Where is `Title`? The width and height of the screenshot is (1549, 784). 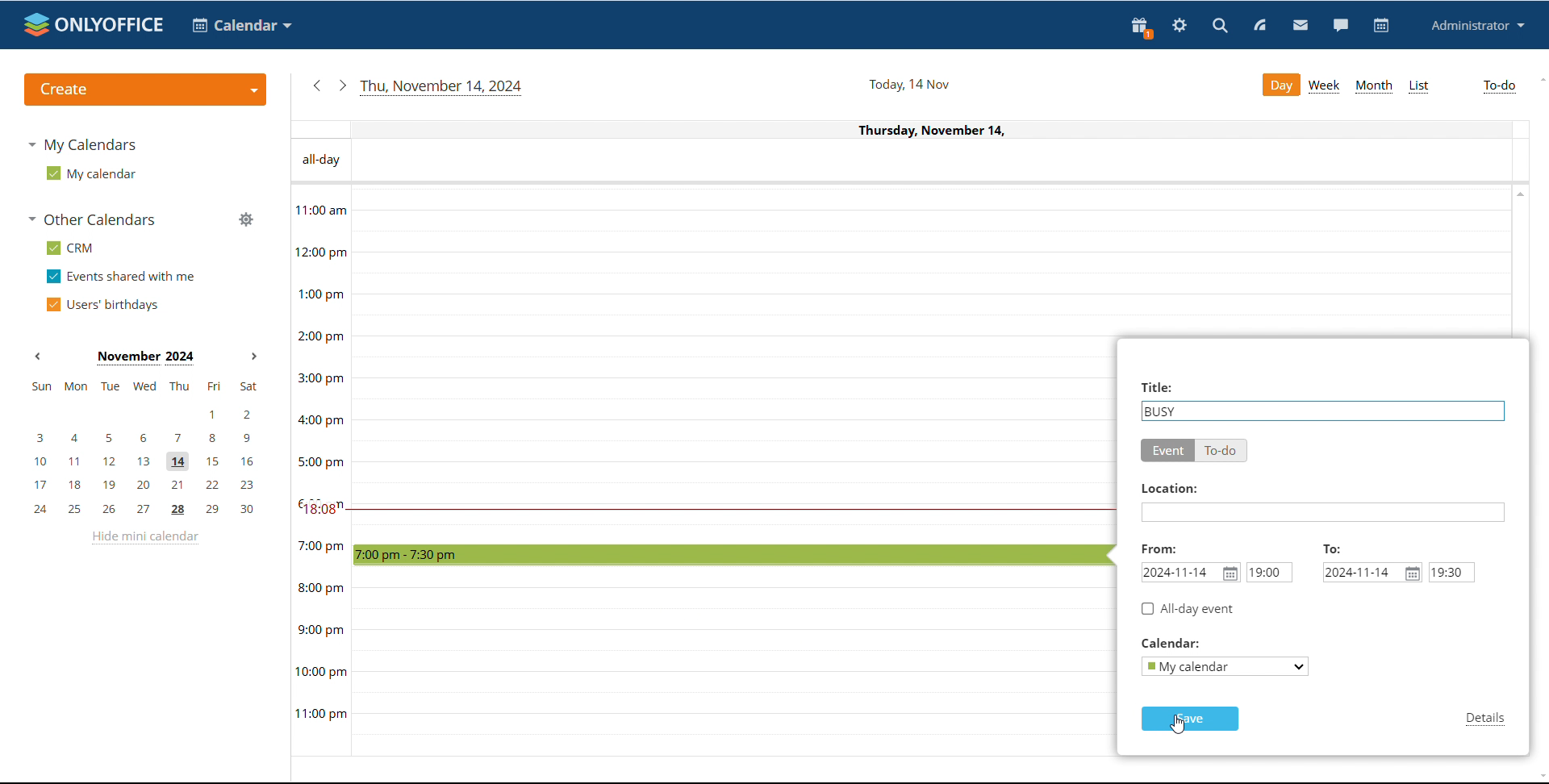 Title is located at coordinates (1159, 386).